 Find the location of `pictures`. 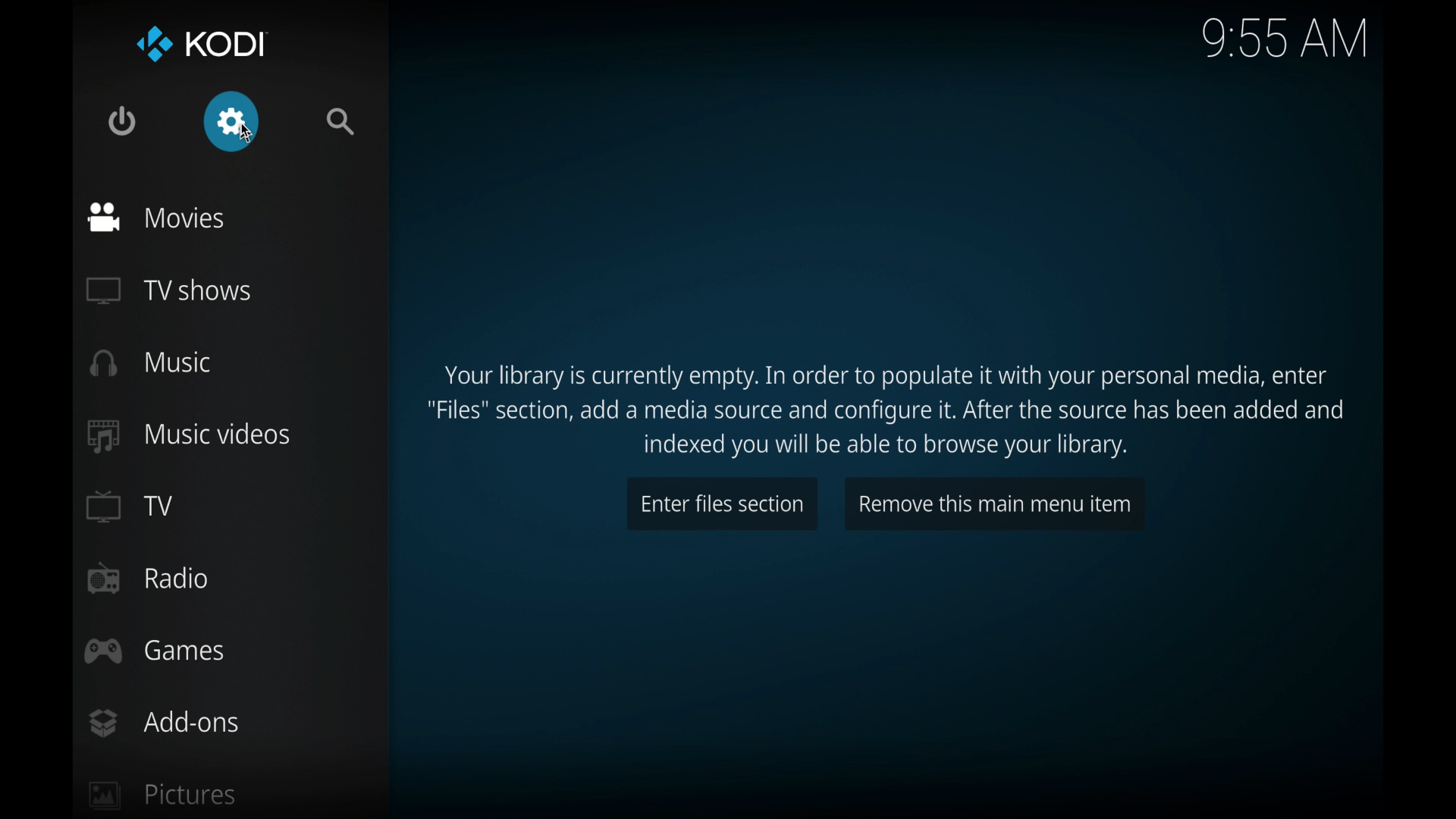

pictures is located at coordinates (162, 797).